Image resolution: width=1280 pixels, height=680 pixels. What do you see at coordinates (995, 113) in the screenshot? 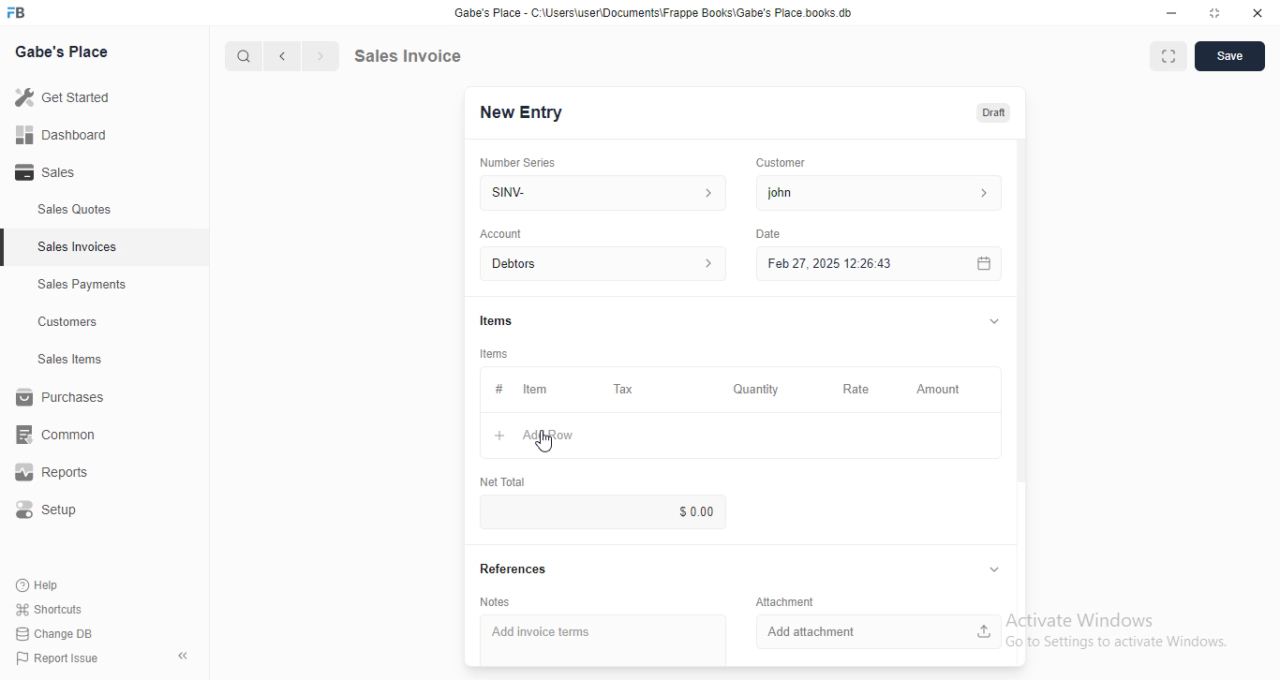
I see `Draft` at bounding box center [995, 113].